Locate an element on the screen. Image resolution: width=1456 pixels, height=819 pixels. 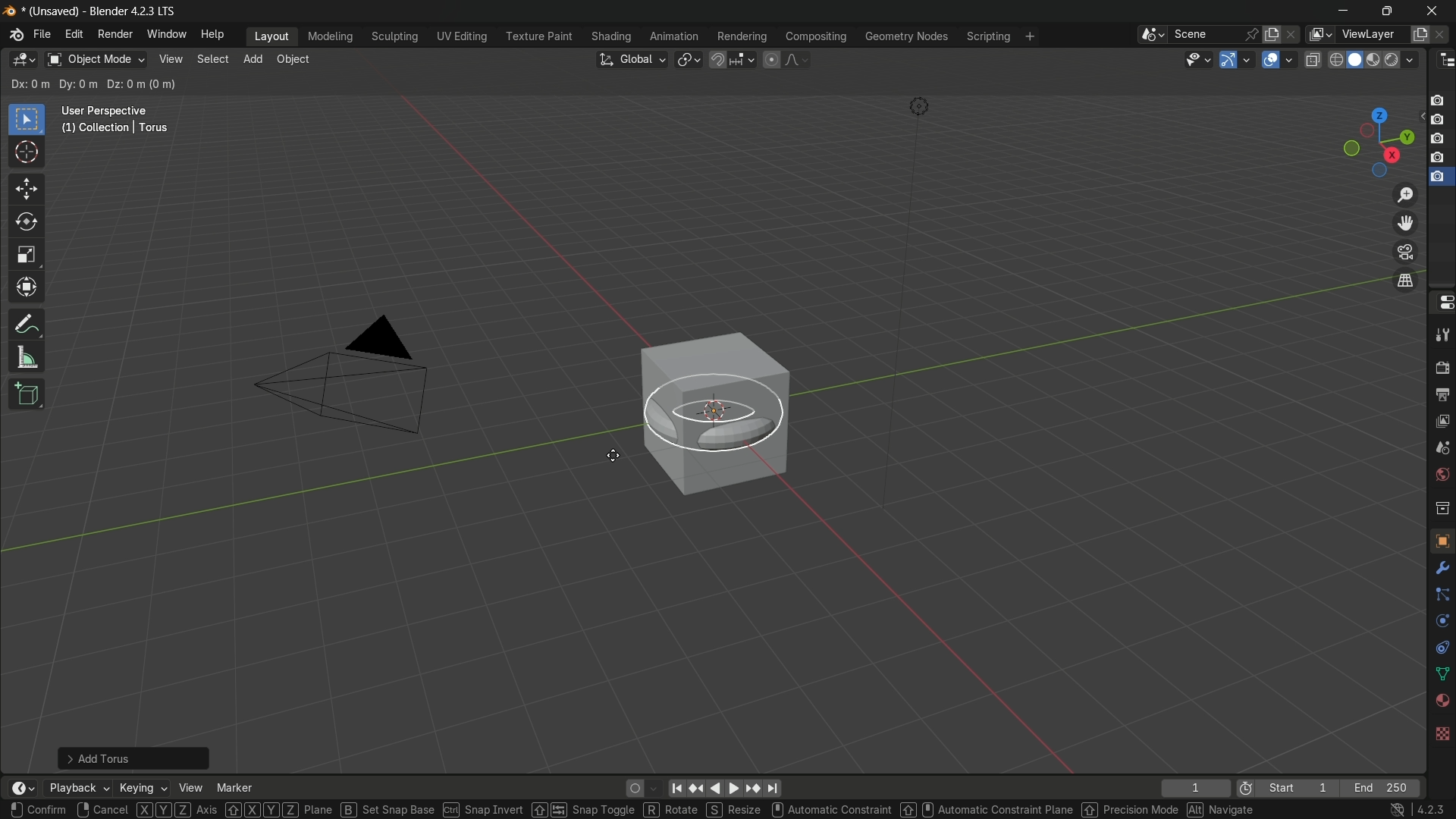
annotate is located at coordinates (27, 324).